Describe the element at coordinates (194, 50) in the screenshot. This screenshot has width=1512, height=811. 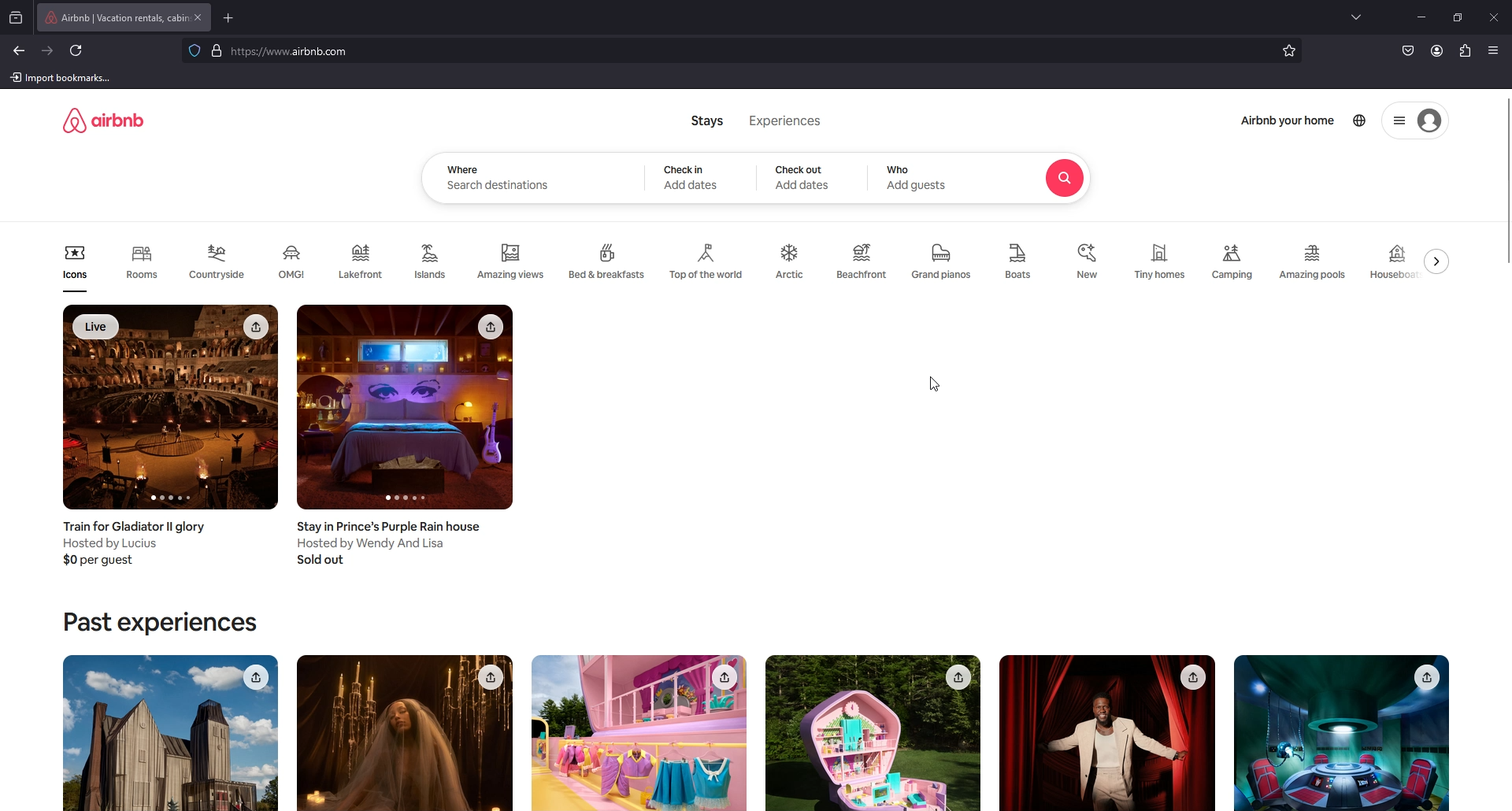
I see `blocking trackers` at that location.